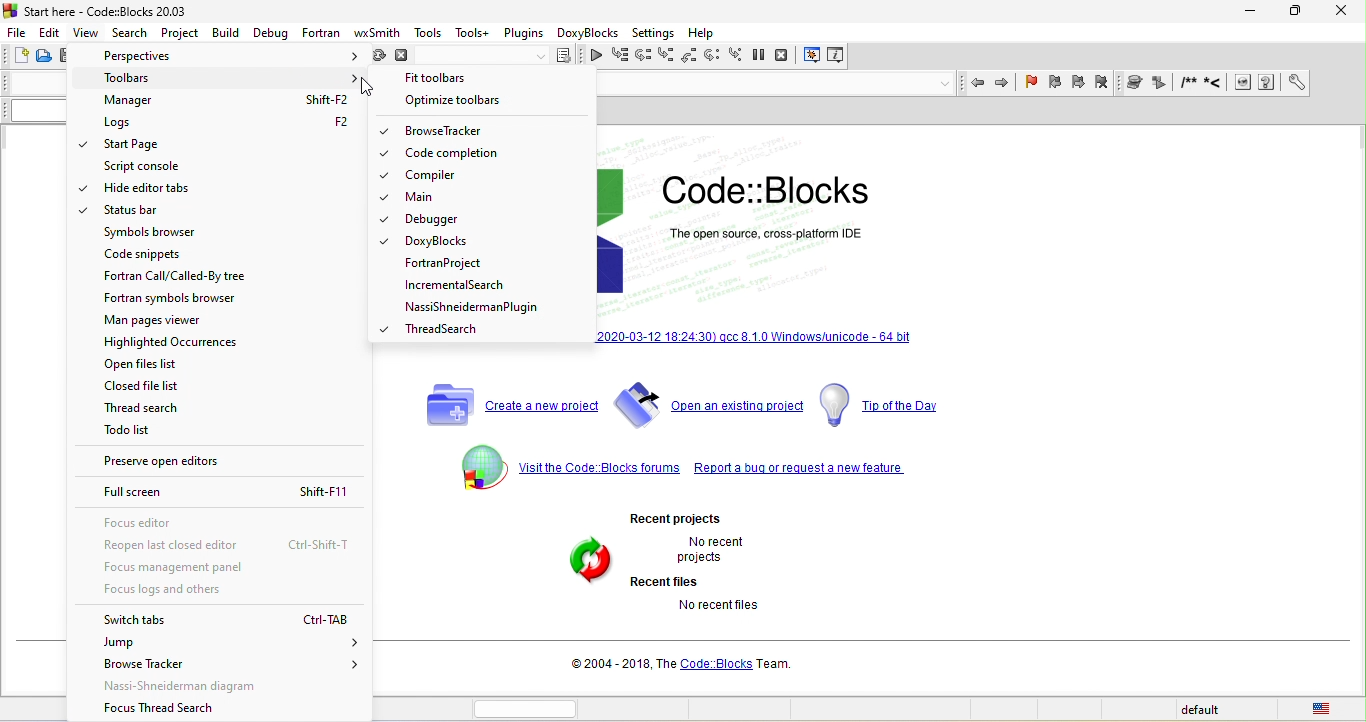 The height and width of the screenshot is (722, 1366). What do you see at coordinates (457, 289) in the screenshot?
I see `incremental search` at bounding box center [457, 289].